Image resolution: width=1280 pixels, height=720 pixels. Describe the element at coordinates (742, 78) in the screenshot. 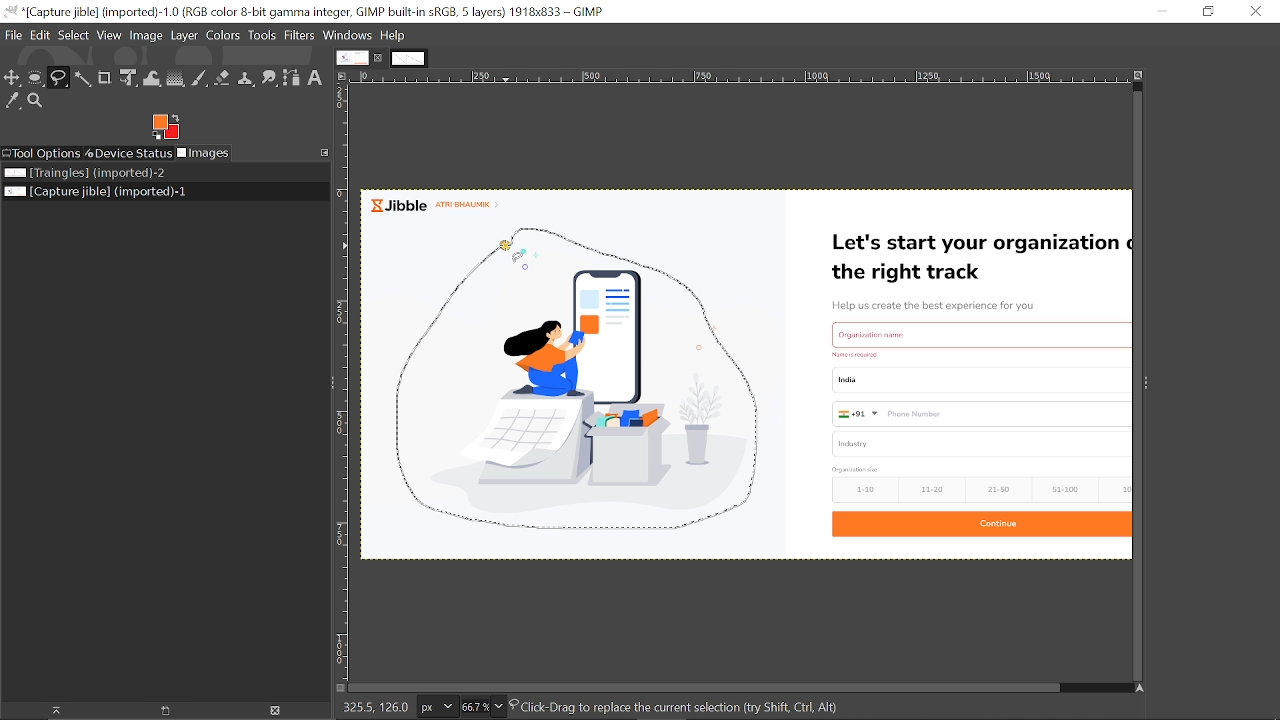

I see `Horizontal label` at that location.